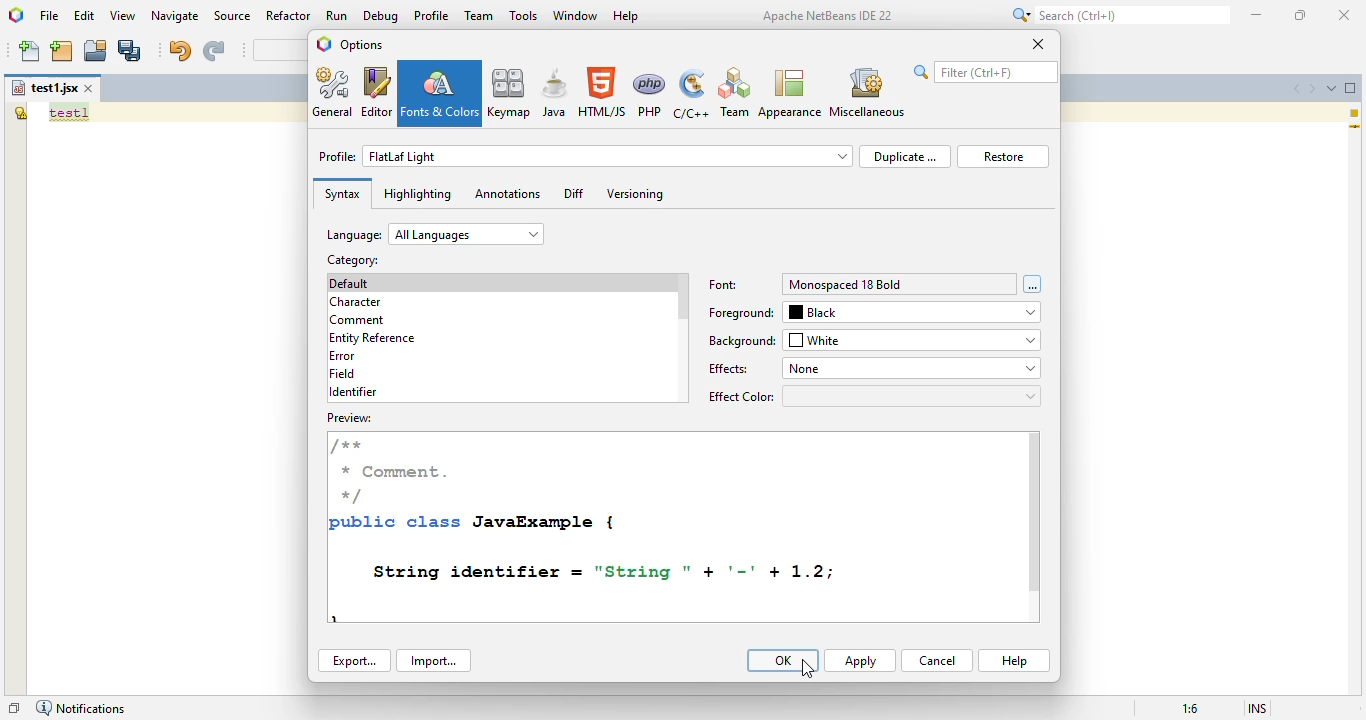  I want to click on import, so click(435, 661).